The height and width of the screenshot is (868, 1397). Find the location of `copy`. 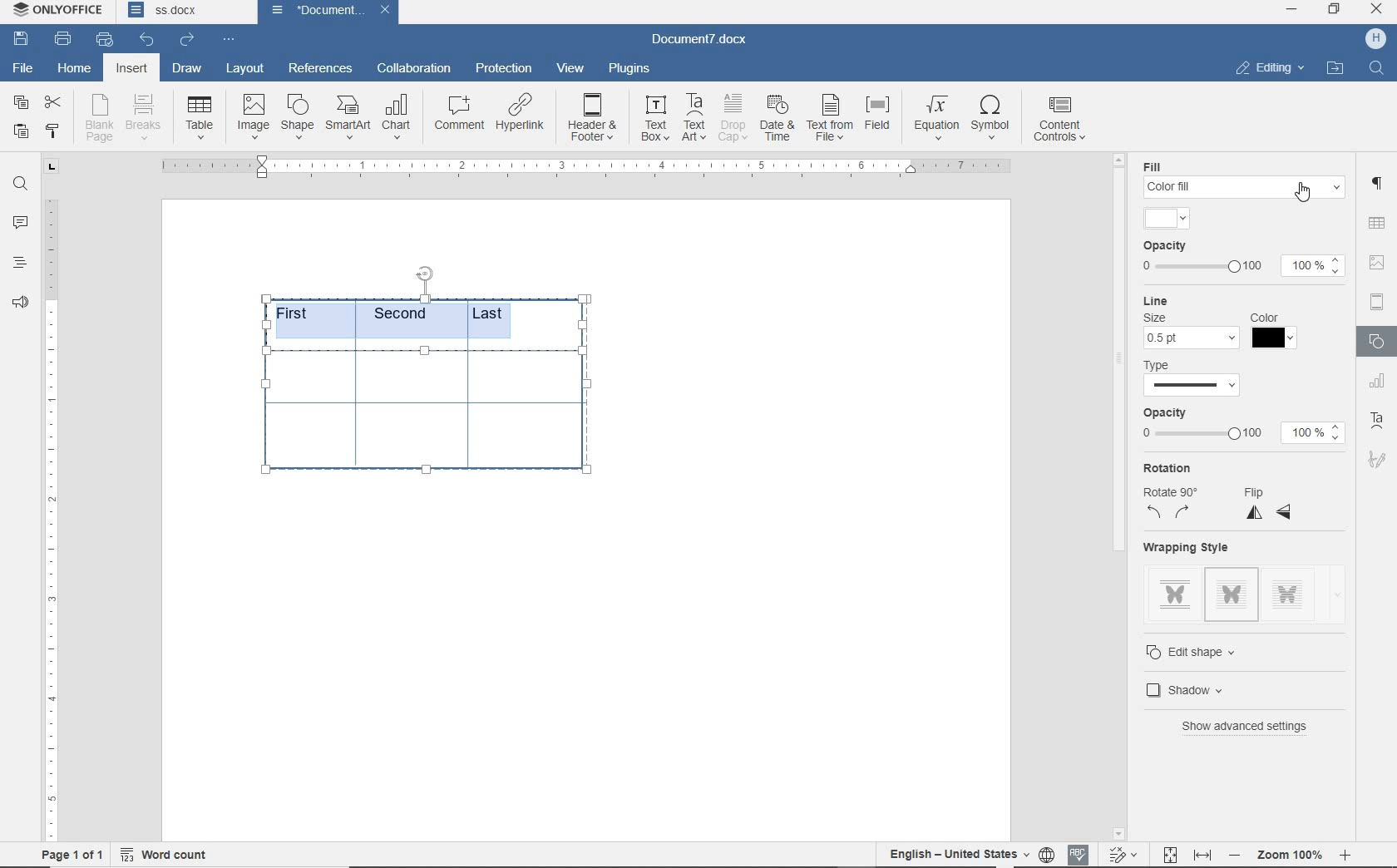

copy is located at coordinates (20, 104).